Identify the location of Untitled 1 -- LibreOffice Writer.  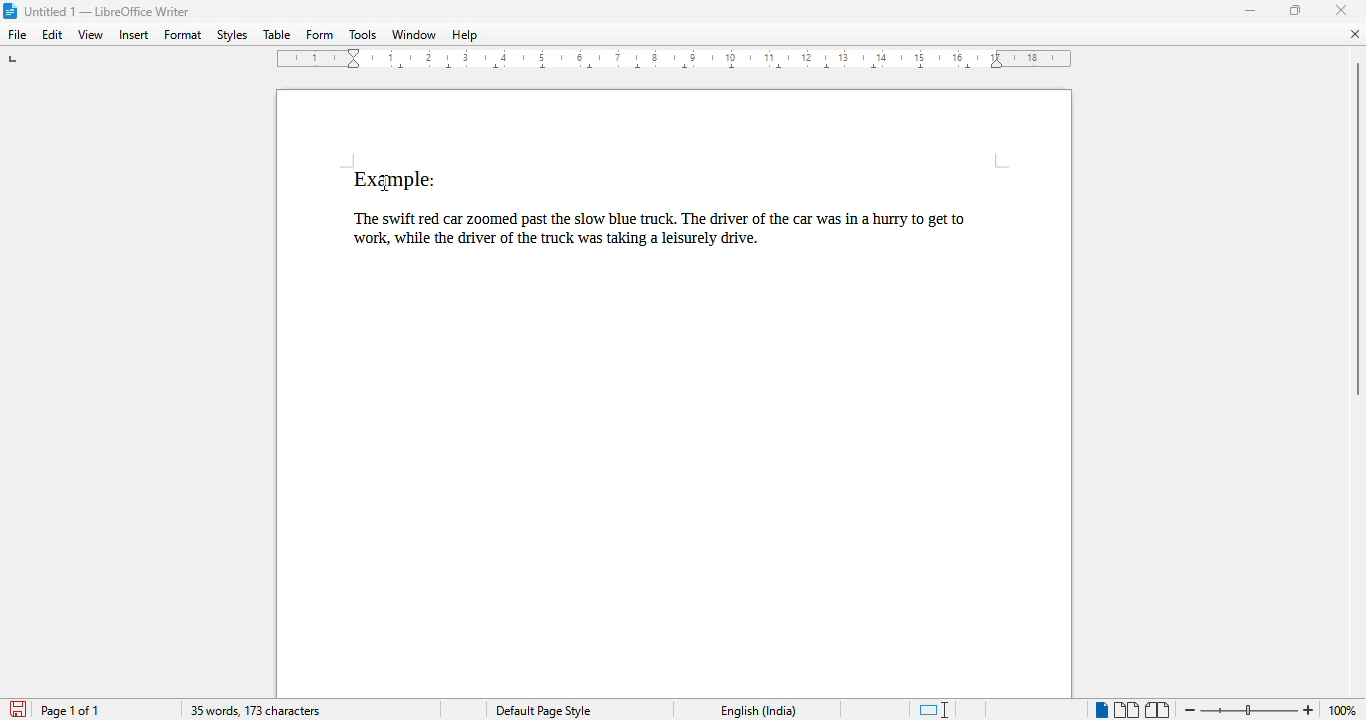
(109, 11).